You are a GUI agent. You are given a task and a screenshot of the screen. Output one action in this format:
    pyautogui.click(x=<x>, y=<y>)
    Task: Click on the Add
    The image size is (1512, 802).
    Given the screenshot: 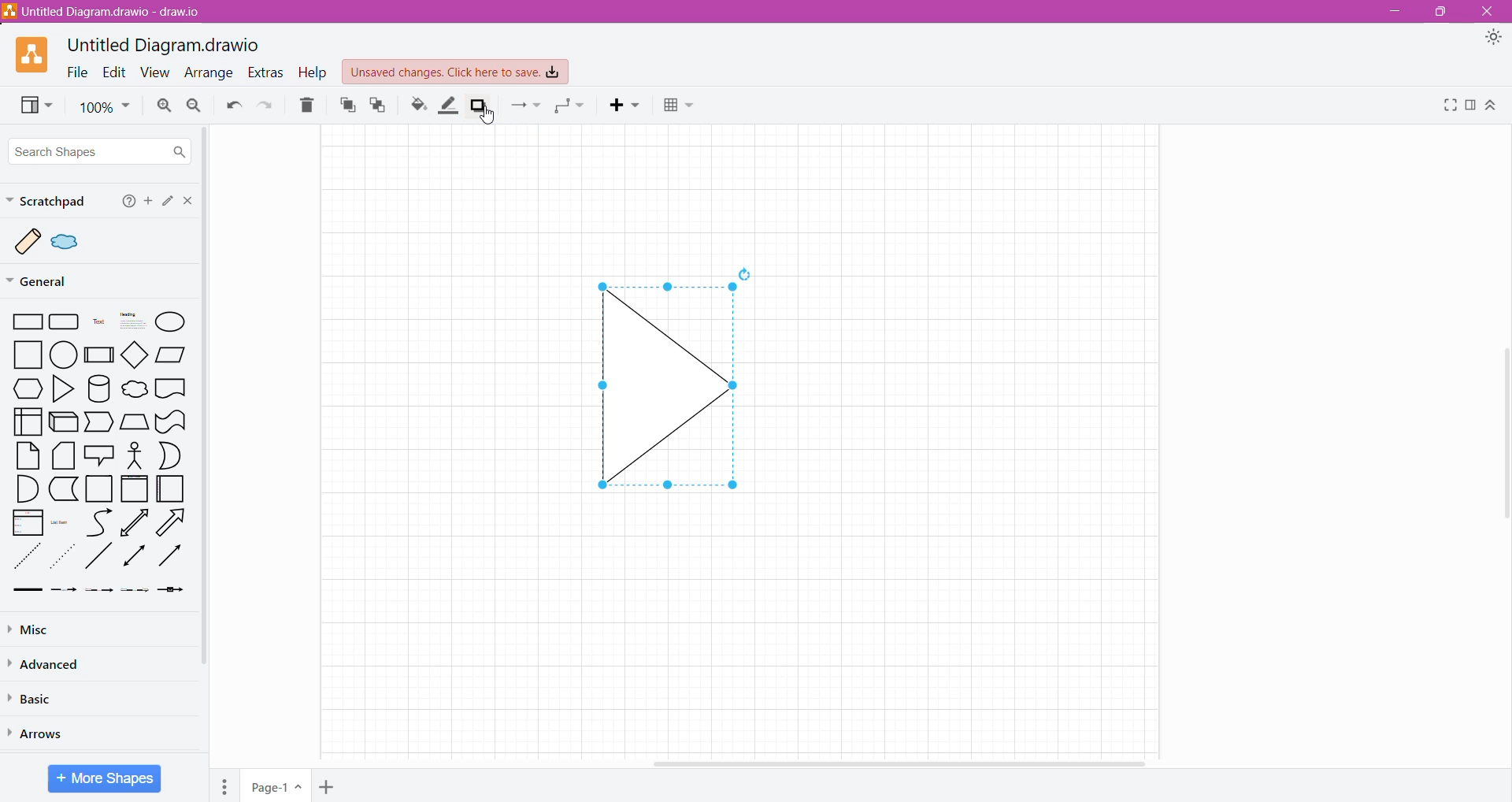 What is the action you would take?
    pyautogui.click(x=147, y=202)
    